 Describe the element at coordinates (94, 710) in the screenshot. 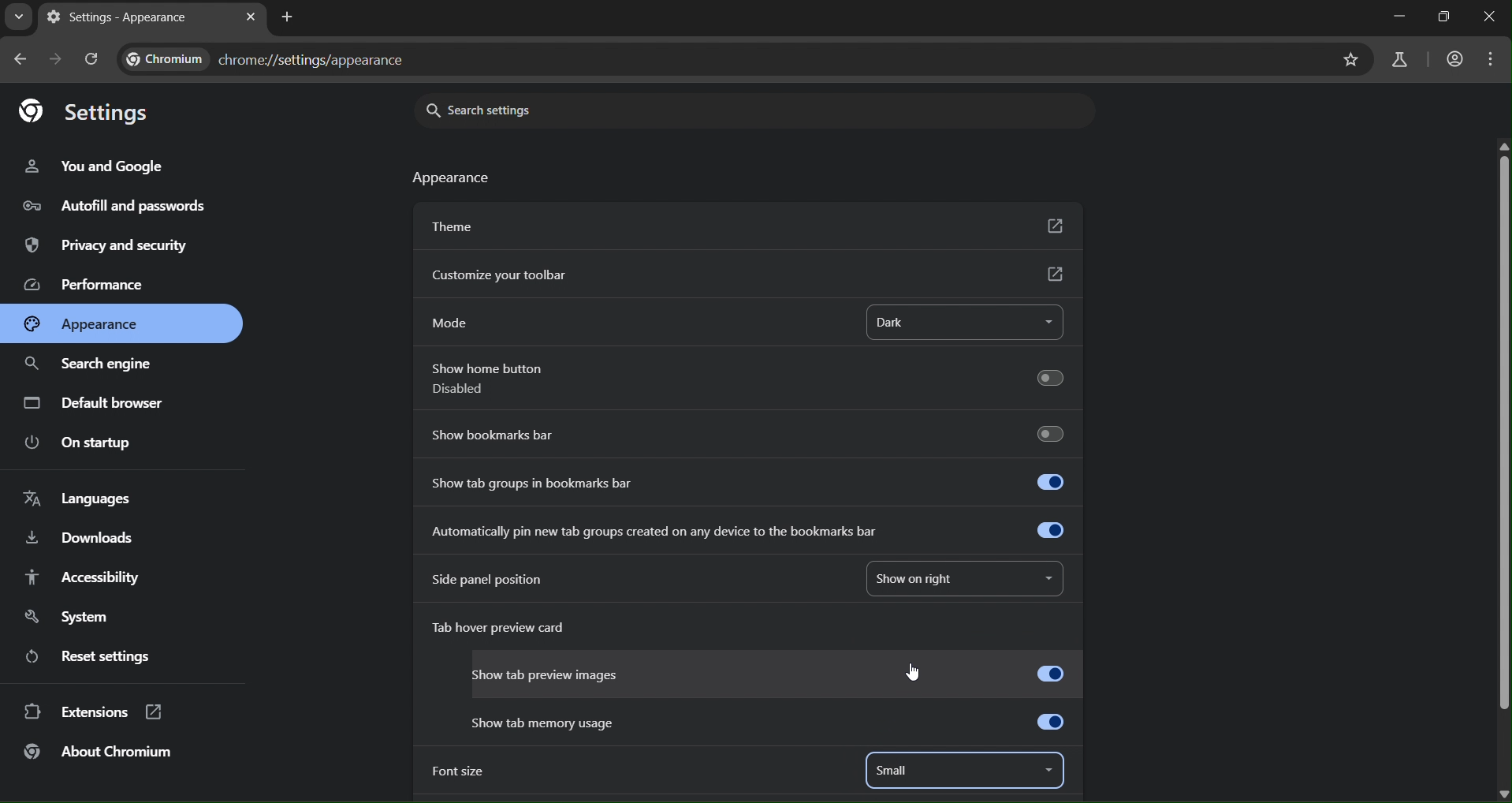

I see `extensions` at that location.